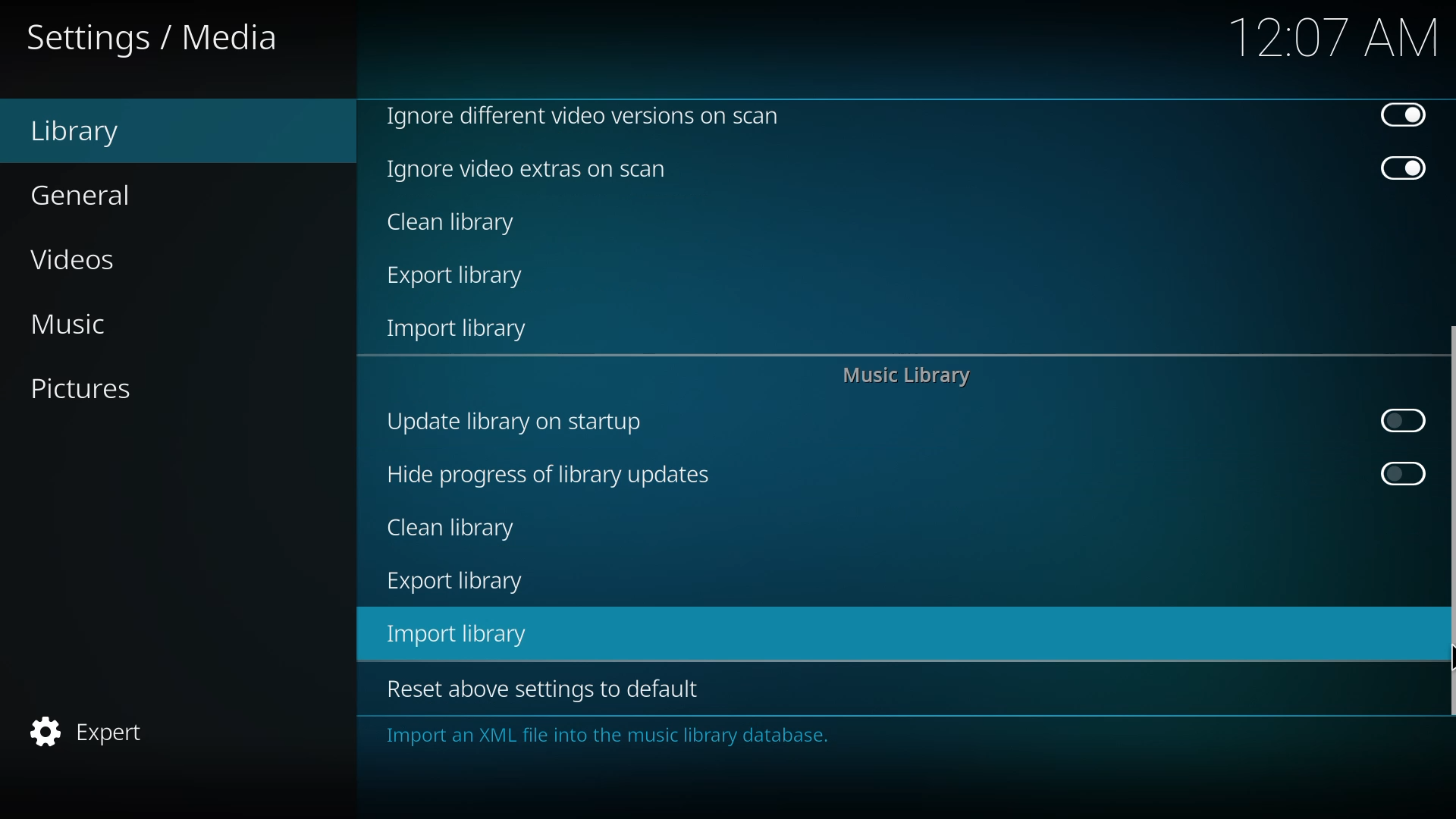 The image size is (1456, 819). What do you see at coordinates (529, 169) in the screenshot?
I see `ignore` at bounding box center [529, 169].